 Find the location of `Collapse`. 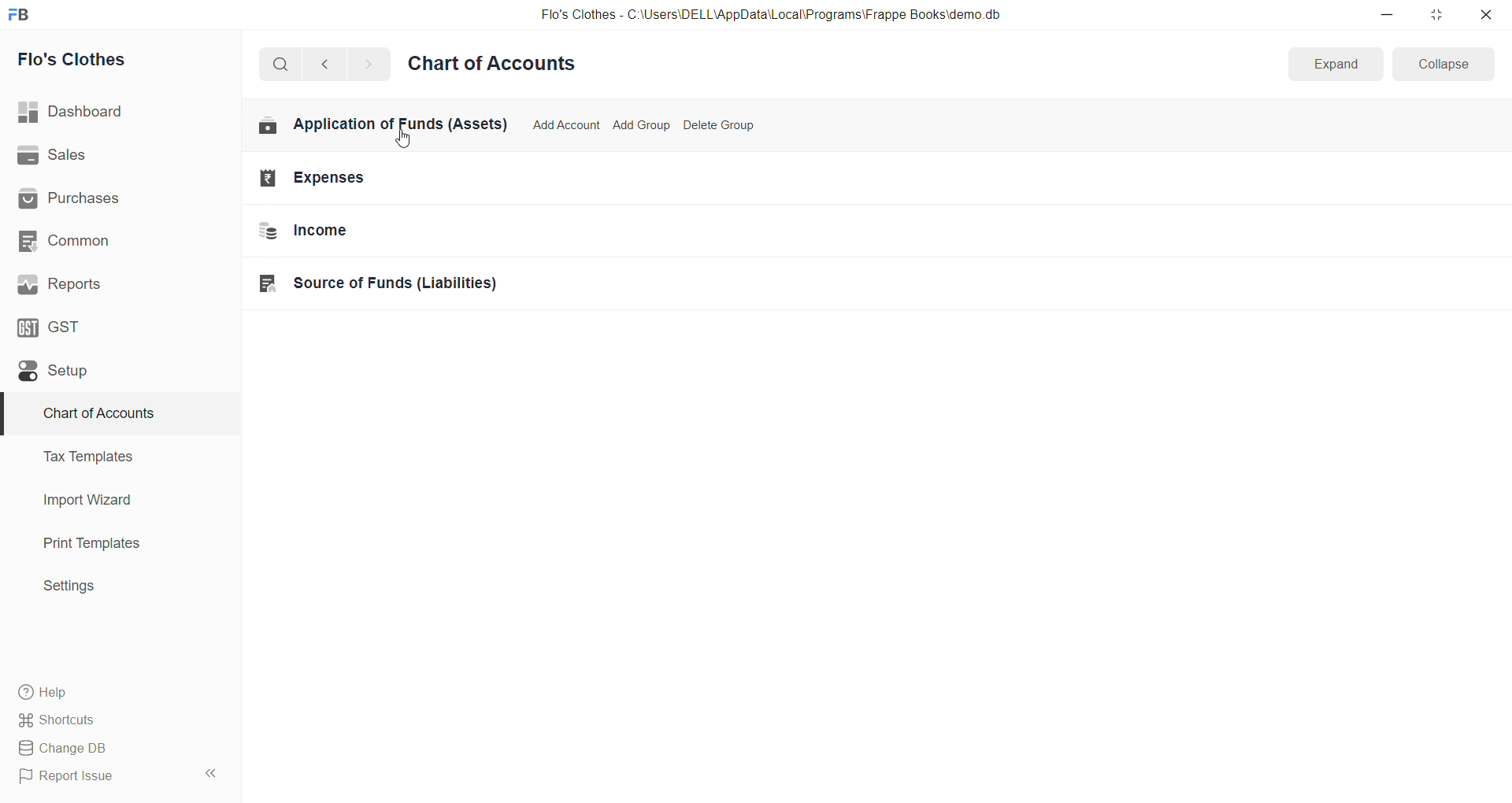

Collapse is located at coordinates (1444, 63).